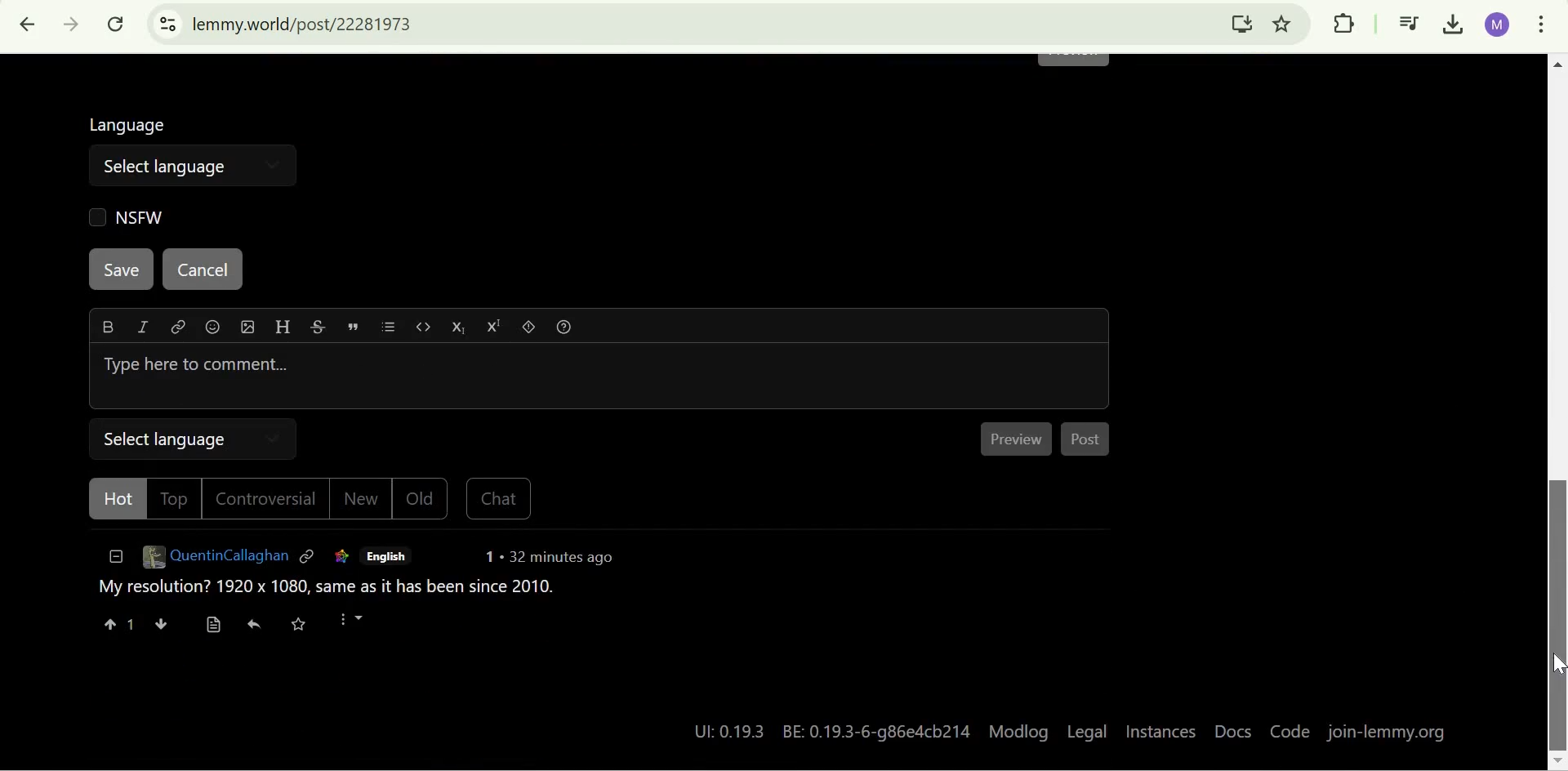 The width and height of the screenshot is (1568, 771). Describe the element at coordinates (550, 560) in the screenshot. I see `1 . 32 minutes ago` at that location.